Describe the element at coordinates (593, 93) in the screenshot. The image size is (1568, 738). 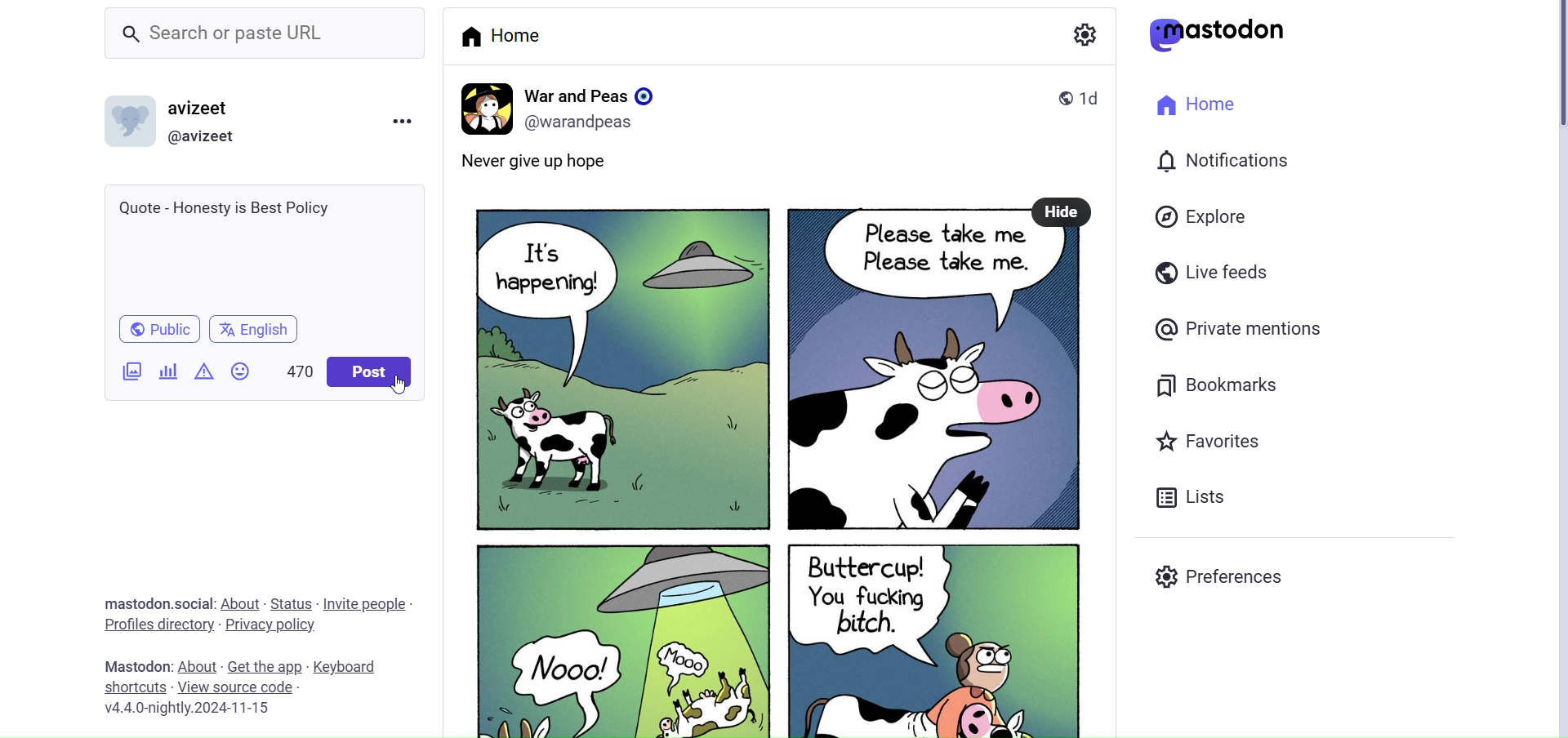
I see `War and Peas` at that location.